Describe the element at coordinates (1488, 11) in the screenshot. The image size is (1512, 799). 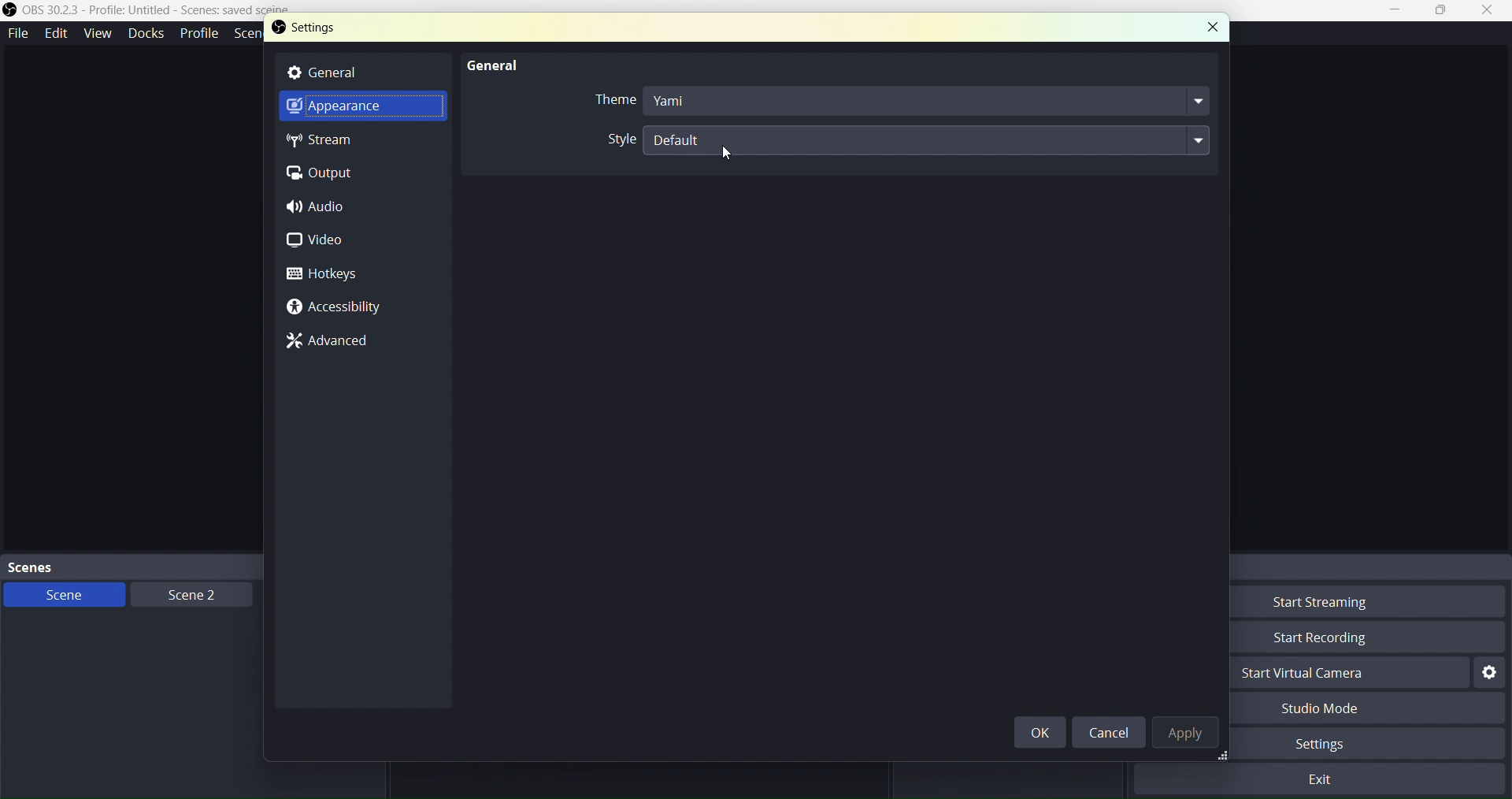
I see `Close` at that location.